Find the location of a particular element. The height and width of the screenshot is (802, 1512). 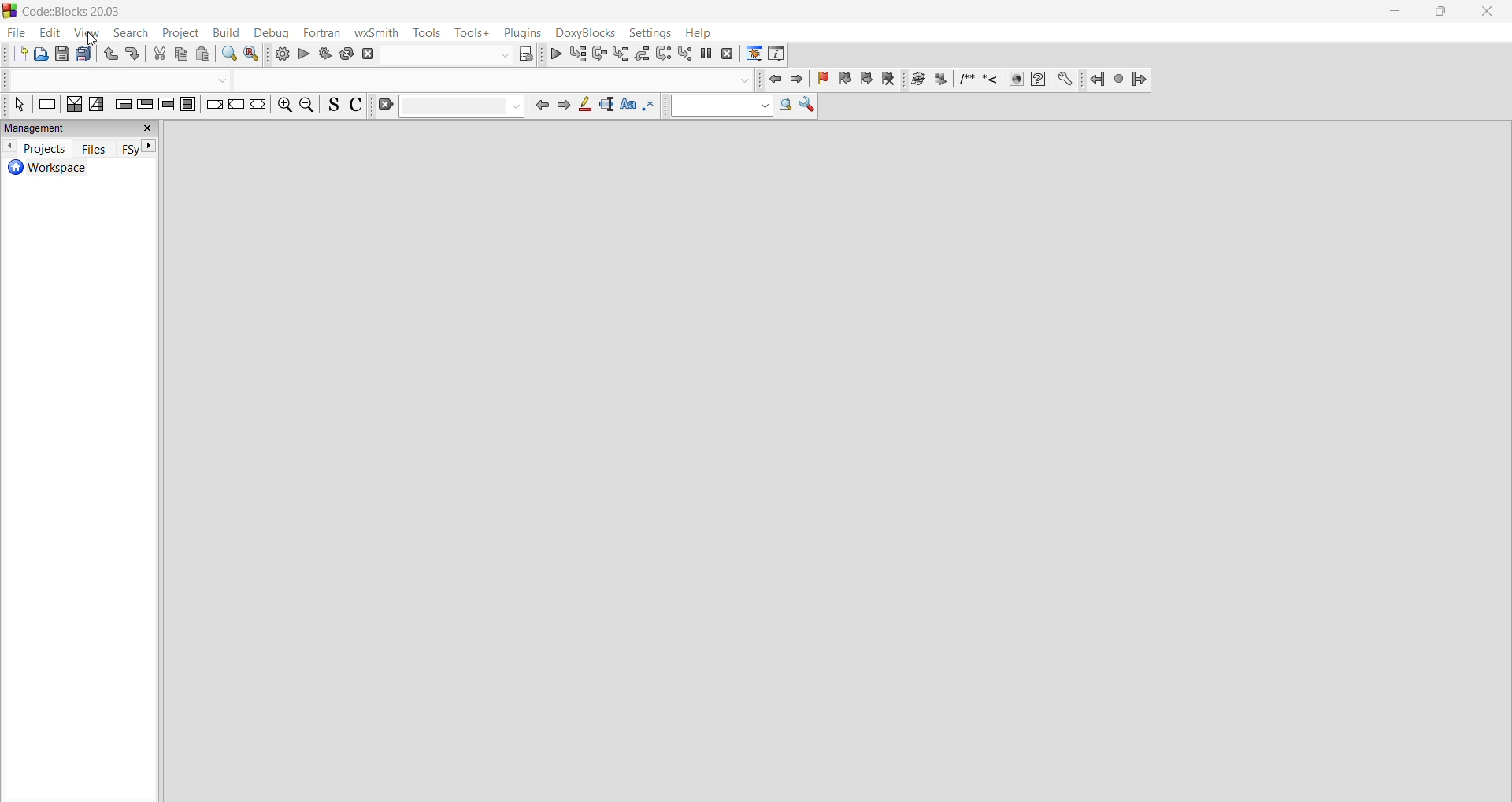

step into instruction is located at coordinates (685, 54).